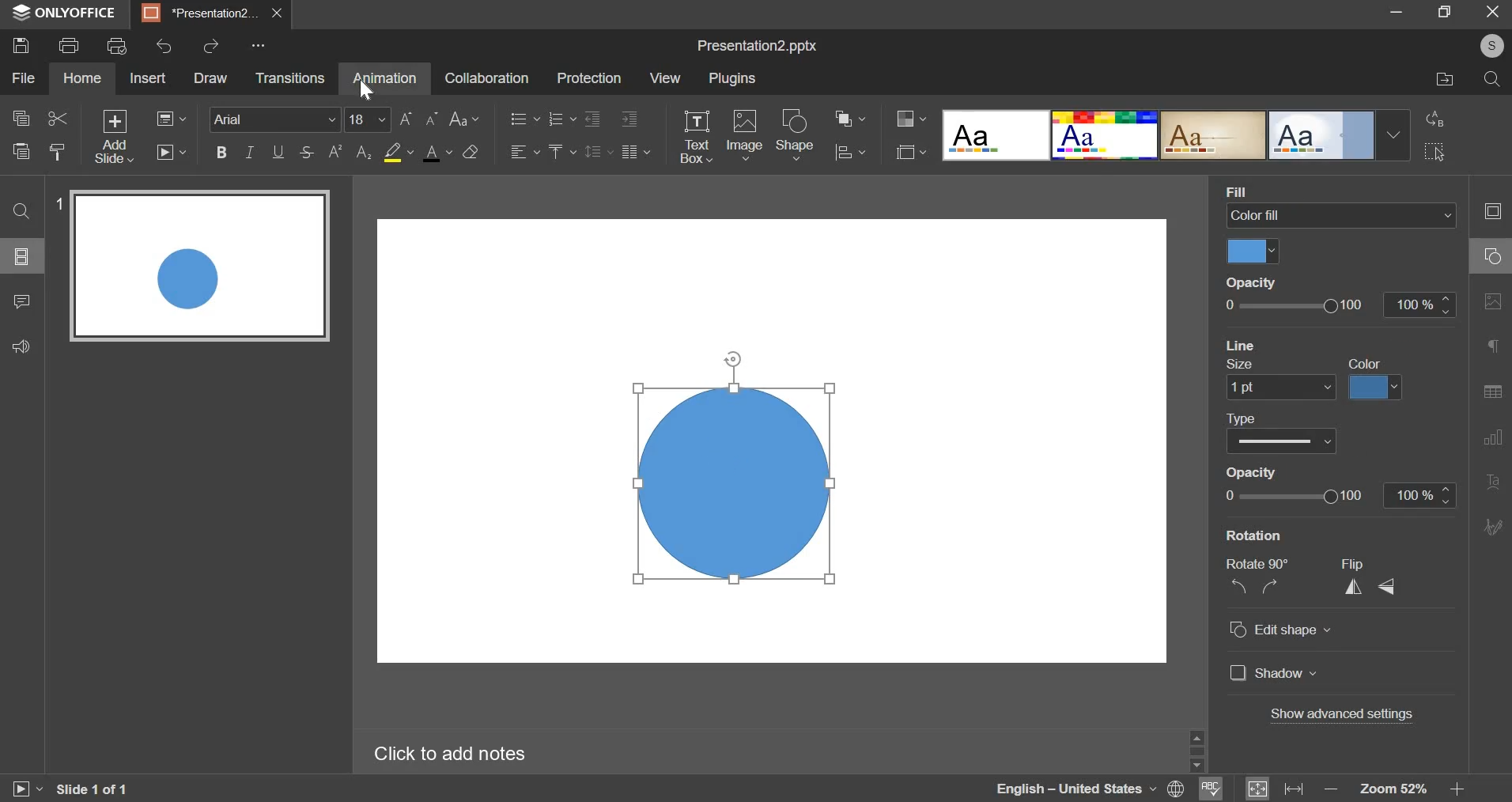  I want to click on horizontal alignment, so click(526, 153).